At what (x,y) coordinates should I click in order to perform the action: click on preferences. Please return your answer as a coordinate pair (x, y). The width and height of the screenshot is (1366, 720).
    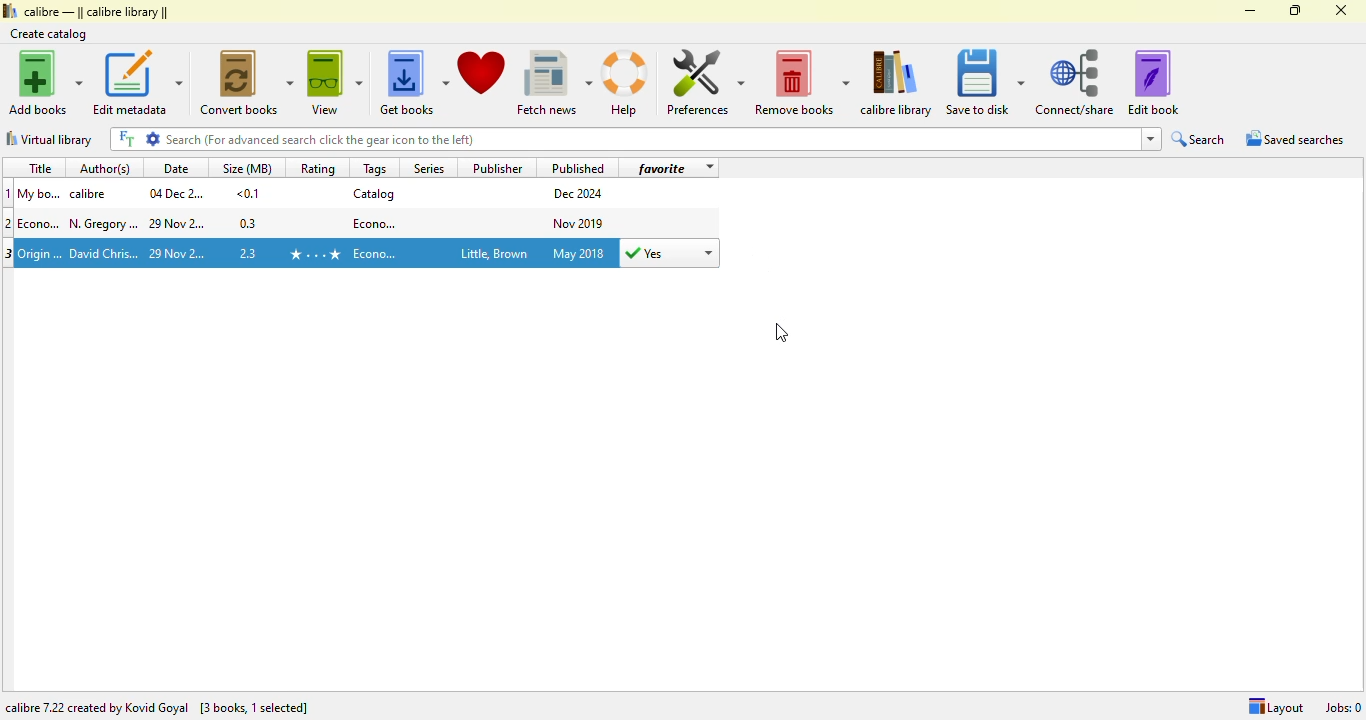
    Looking at the image, I should click on (704, 82).